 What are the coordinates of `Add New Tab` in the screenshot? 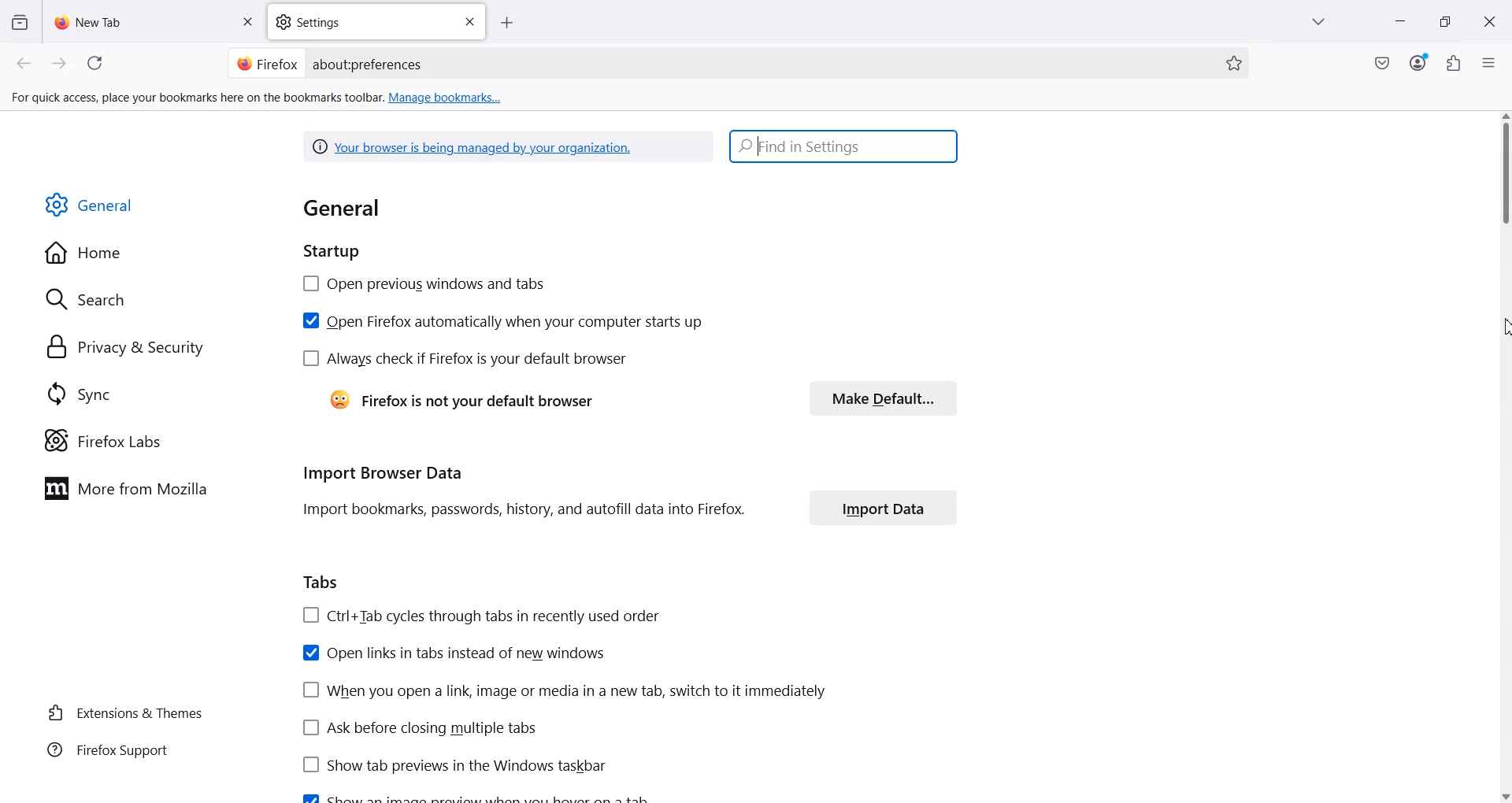 It's located at (507, 24).